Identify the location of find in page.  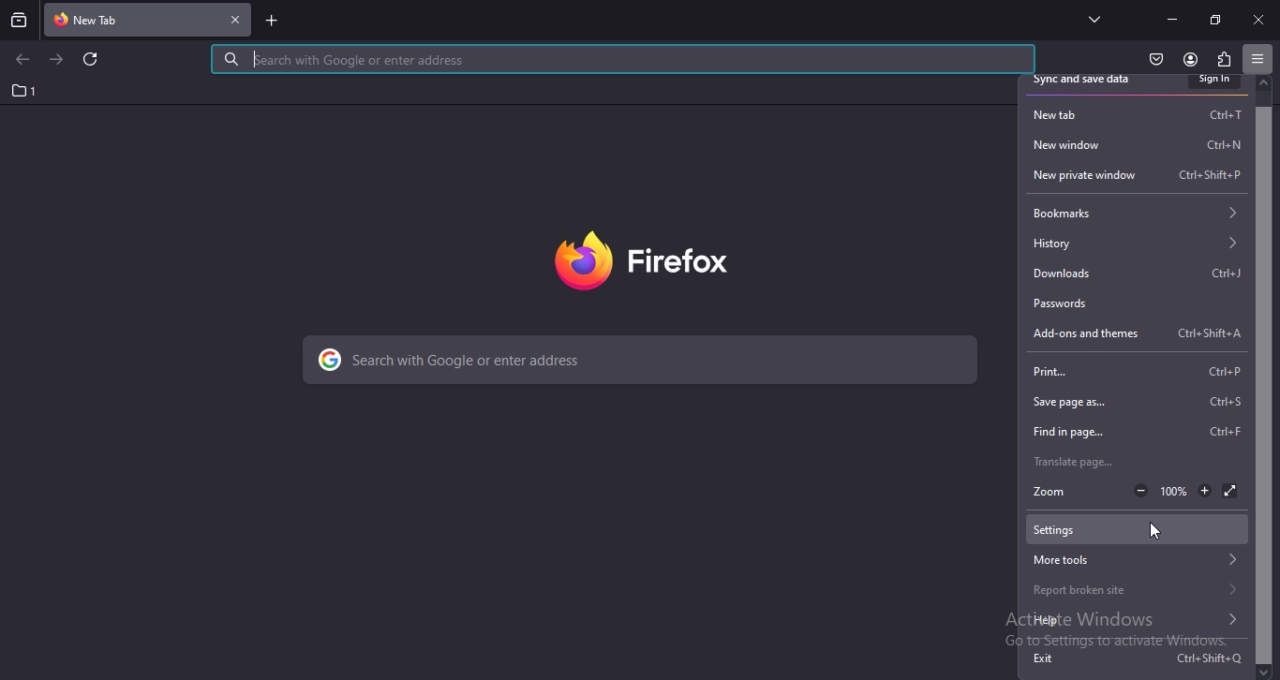
(1135, 429).